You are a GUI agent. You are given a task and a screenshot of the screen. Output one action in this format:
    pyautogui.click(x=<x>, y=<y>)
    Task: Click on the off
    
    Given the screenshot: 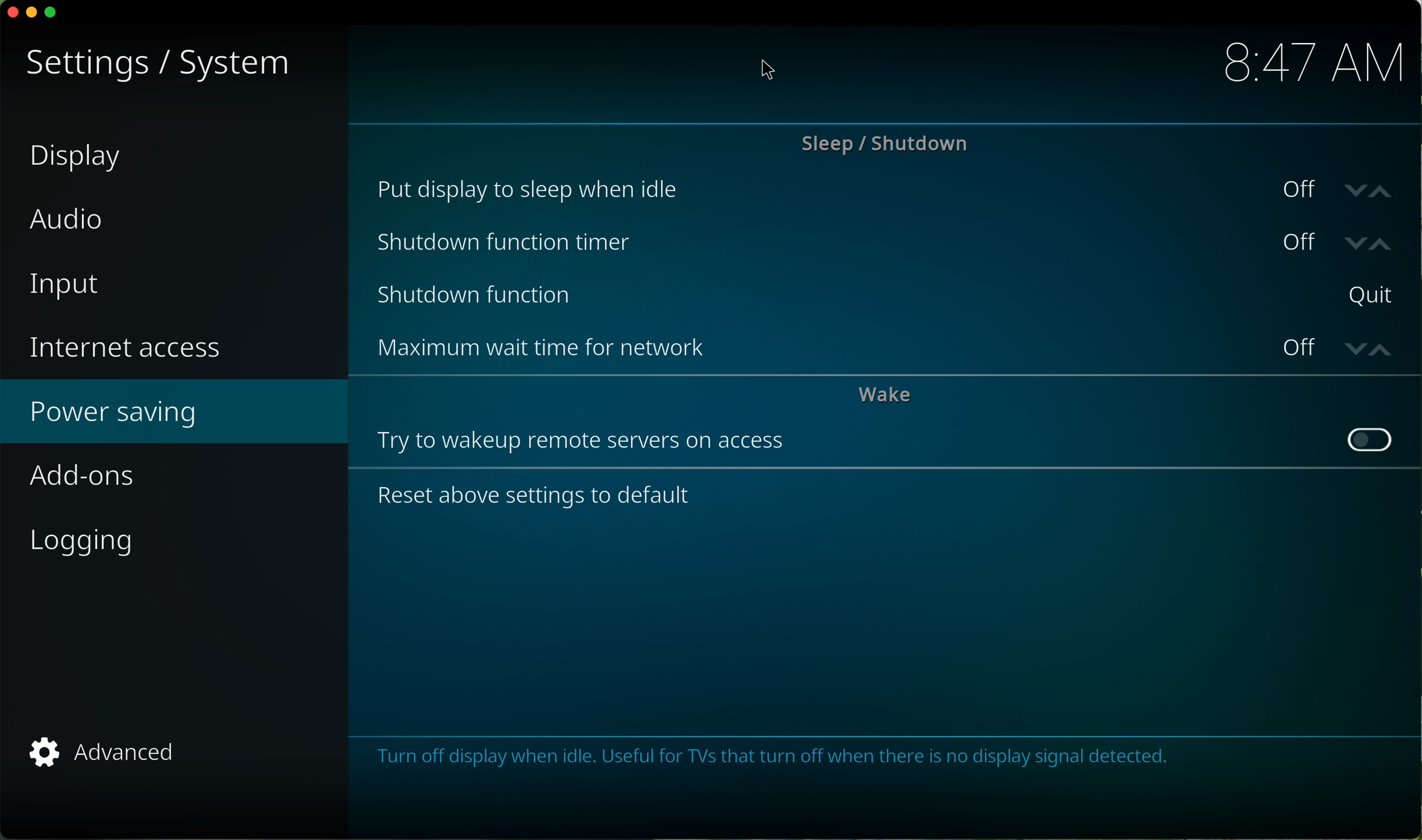 What is the action you would take?
    pyautogui.click(x=1291, y=347)
    